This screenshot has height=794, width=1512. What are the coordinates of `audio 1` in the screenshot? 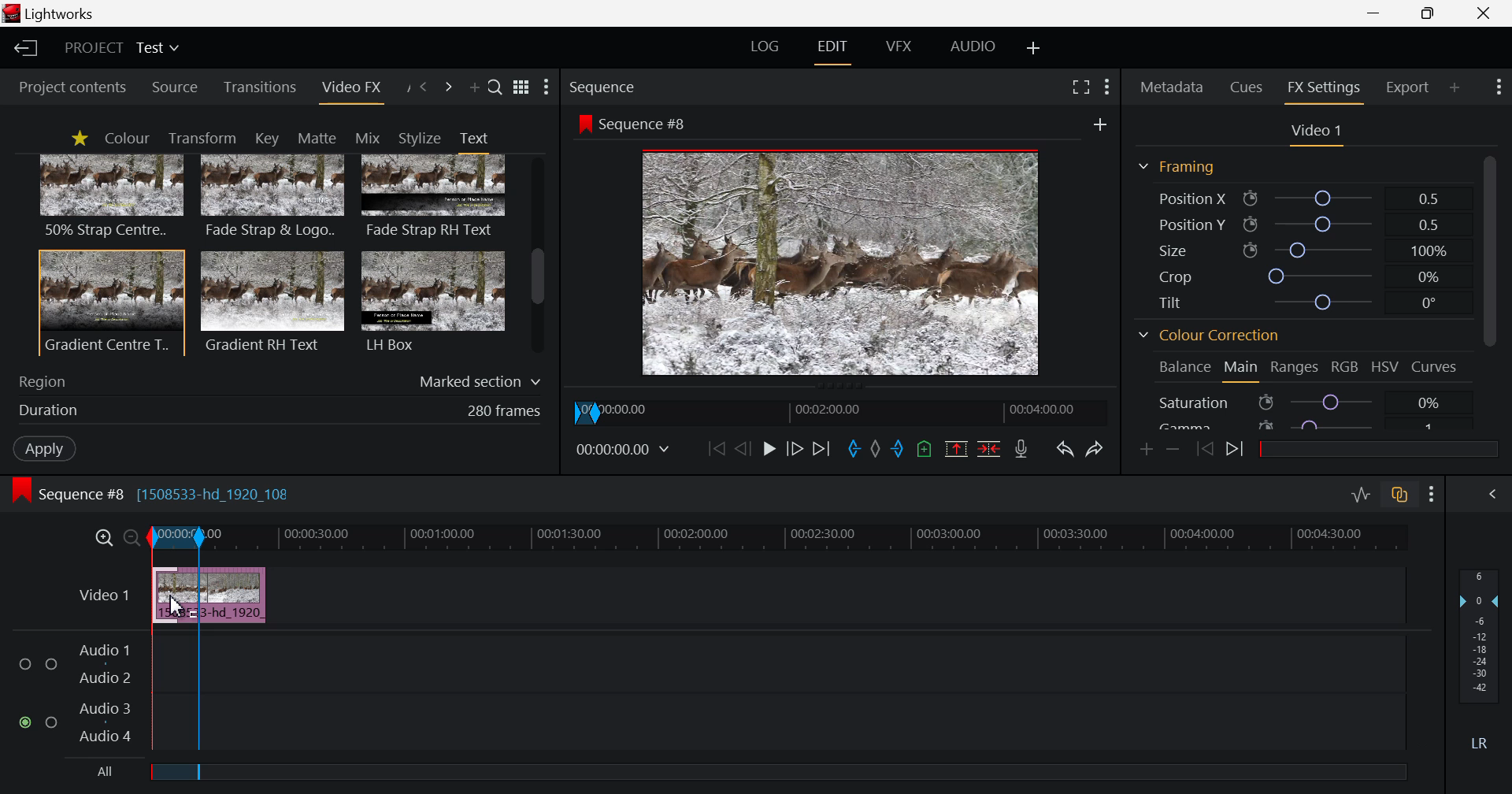 It's located at (104, 651).